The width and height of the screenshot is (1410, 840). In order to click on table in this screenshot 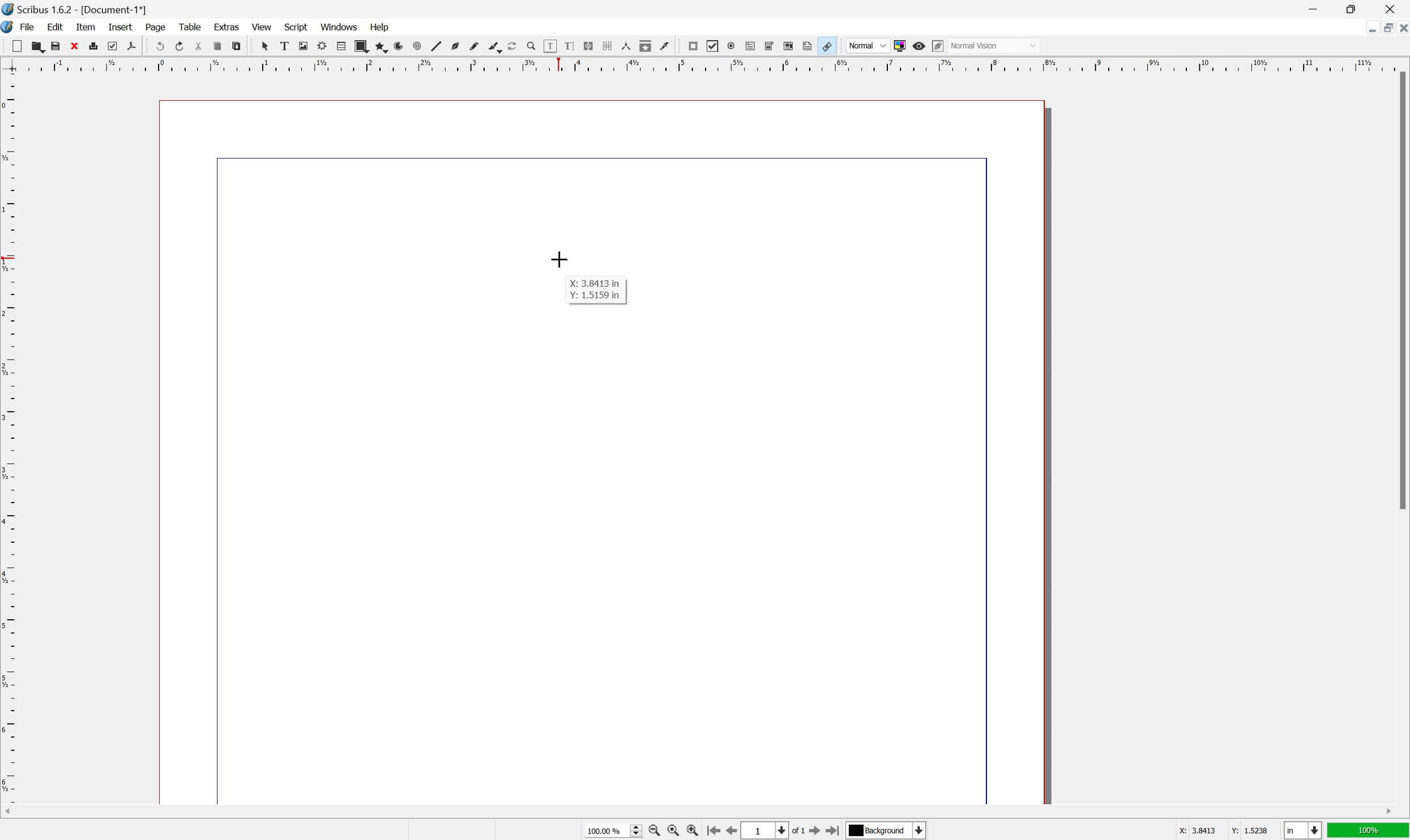, I will do `click(189, 25)`.